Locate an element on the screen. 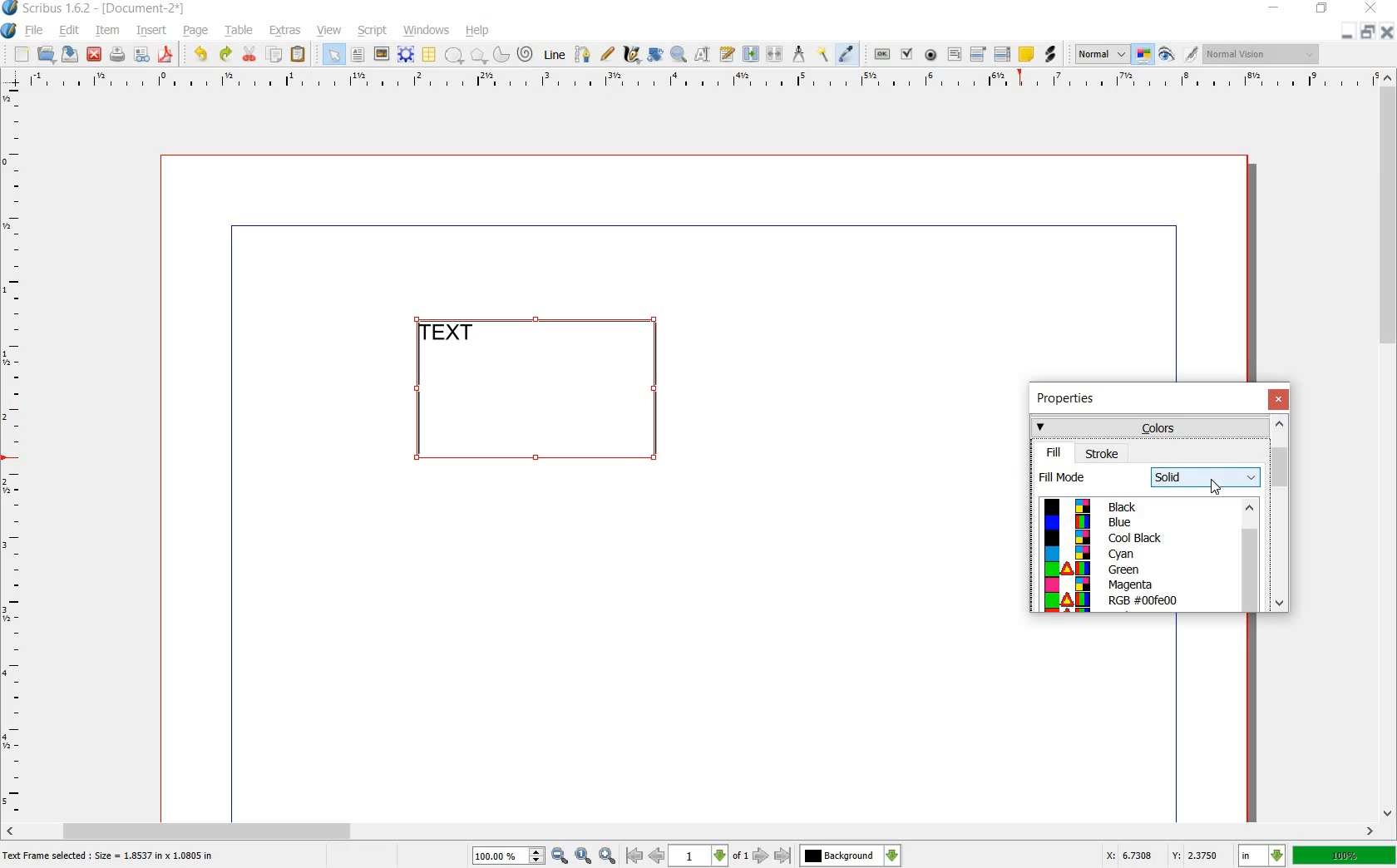 This screenshot has width=1397, height=868. restore is located at coordinates (1322, 11).